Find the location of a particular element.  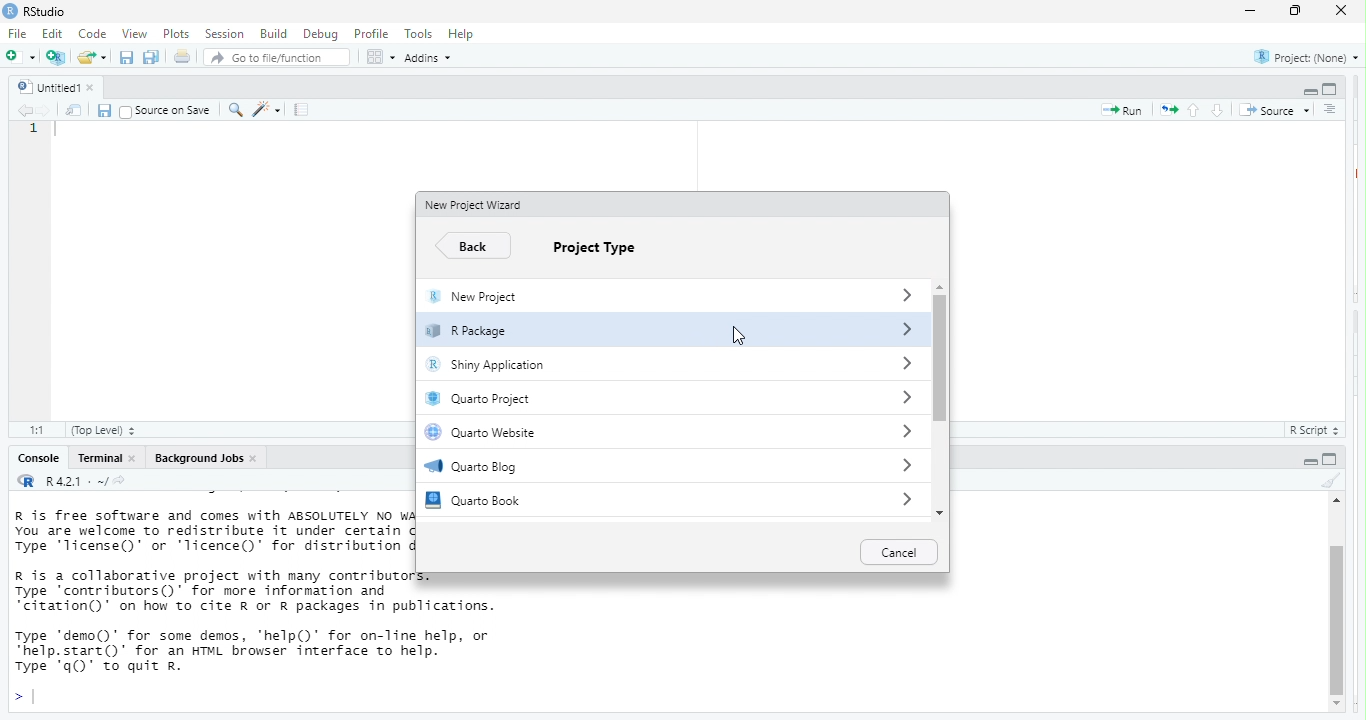

compile report is located at coordinates (304, 111).